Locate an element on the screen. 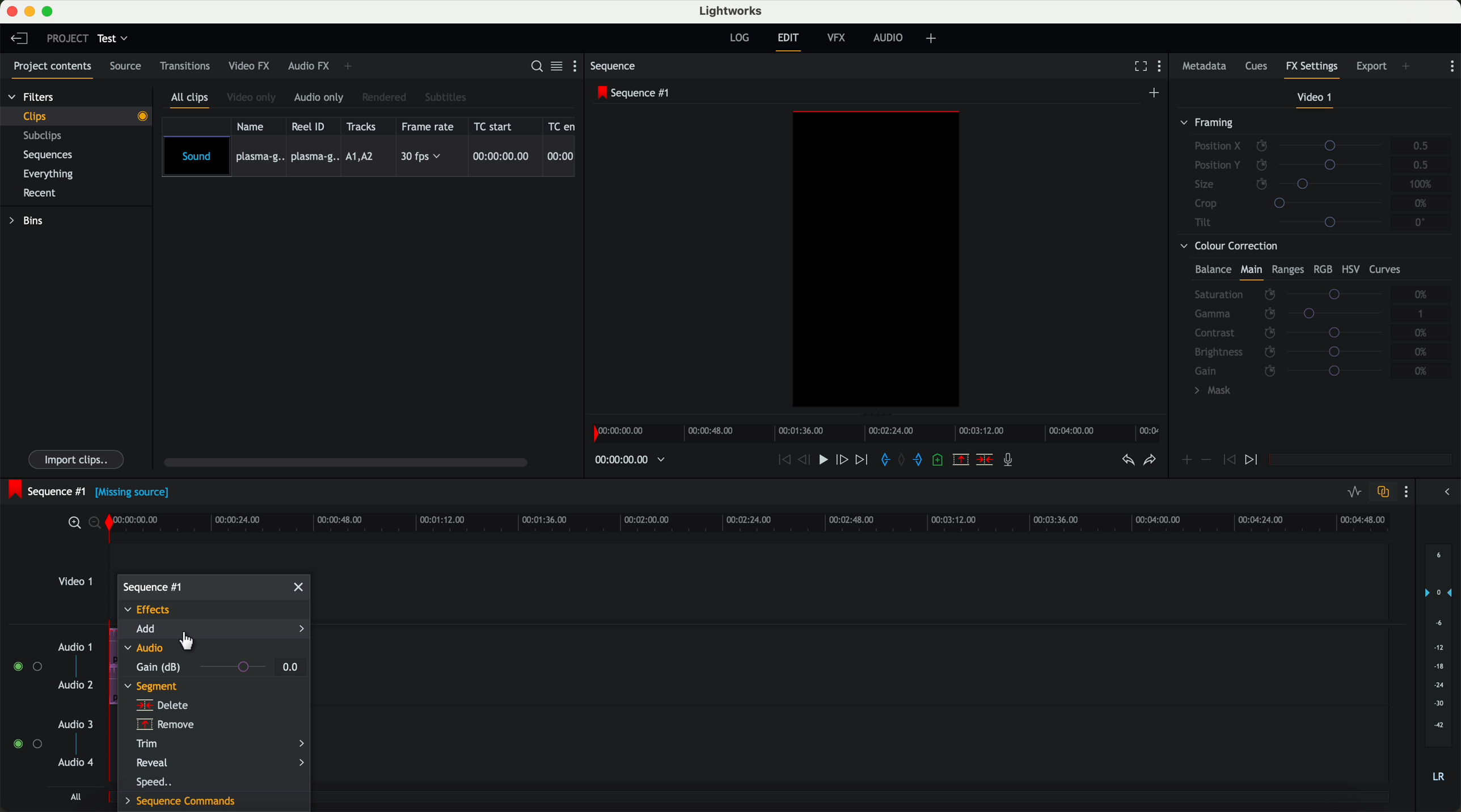 The width and height of the screenshot is (1461, 812). show settings menu is located at coordinates (1409, 493).